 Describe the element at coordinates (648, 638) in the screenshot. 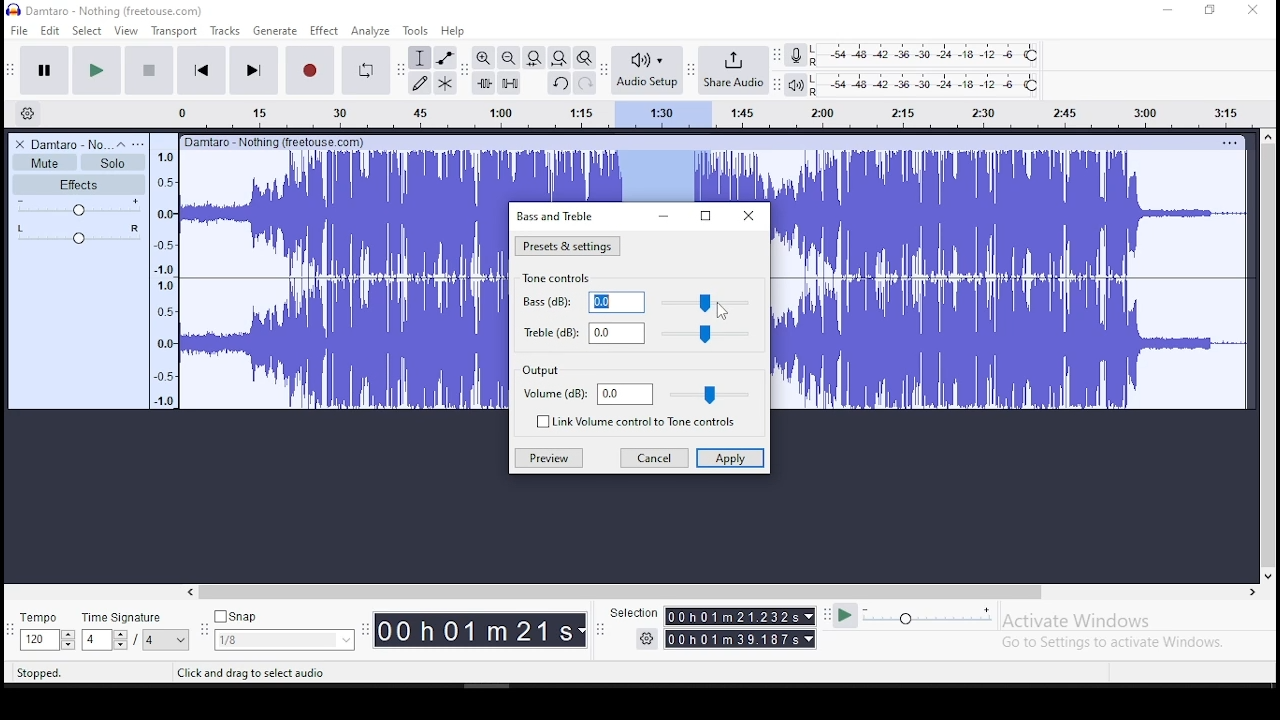

I see `Settings` at that location.